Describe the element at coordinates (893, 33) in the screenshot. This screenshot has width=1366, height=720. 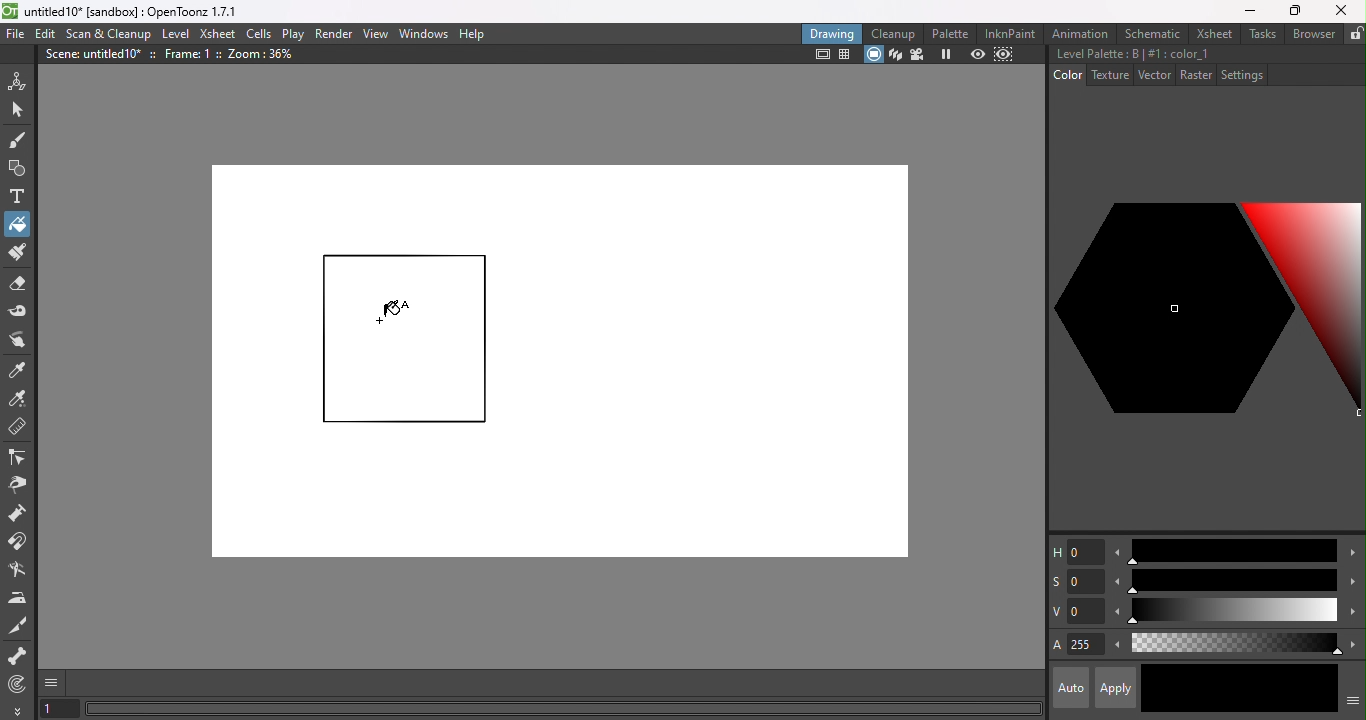
I see `Cleanup` at that location.